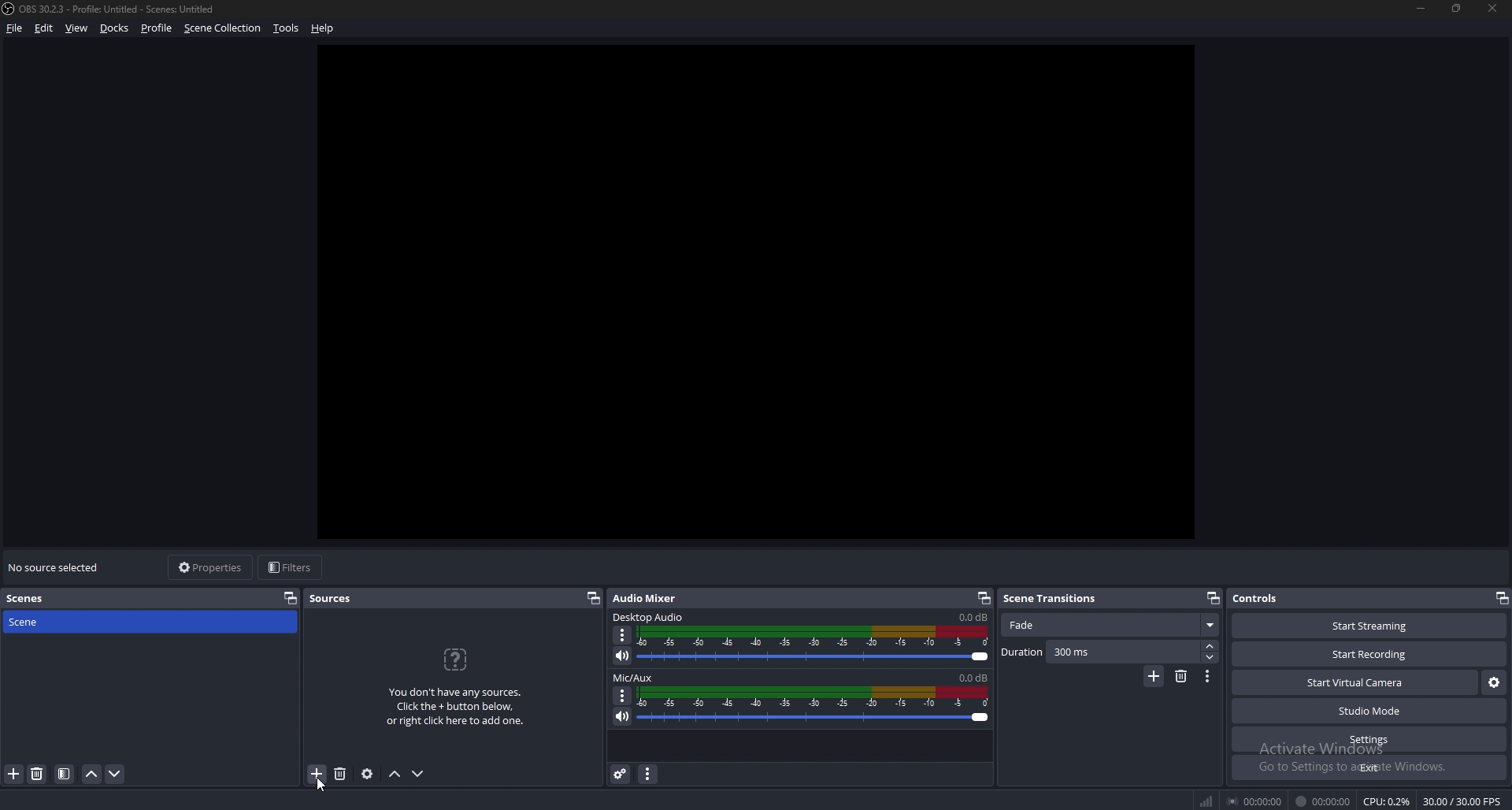  I want to click on view, so click(77, 29).